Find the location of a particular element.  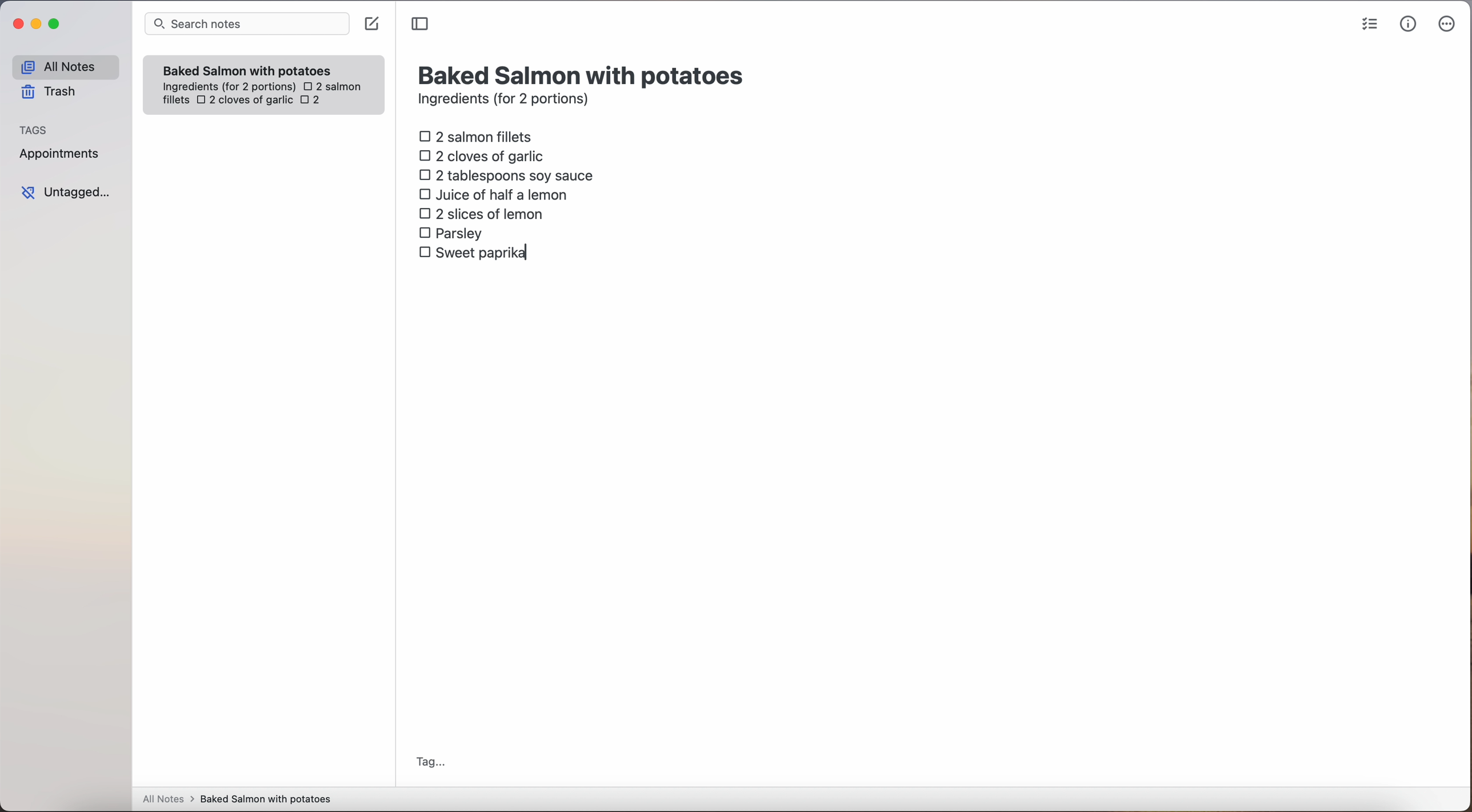

2 salmon fillets is located at coordinates (479, 135).